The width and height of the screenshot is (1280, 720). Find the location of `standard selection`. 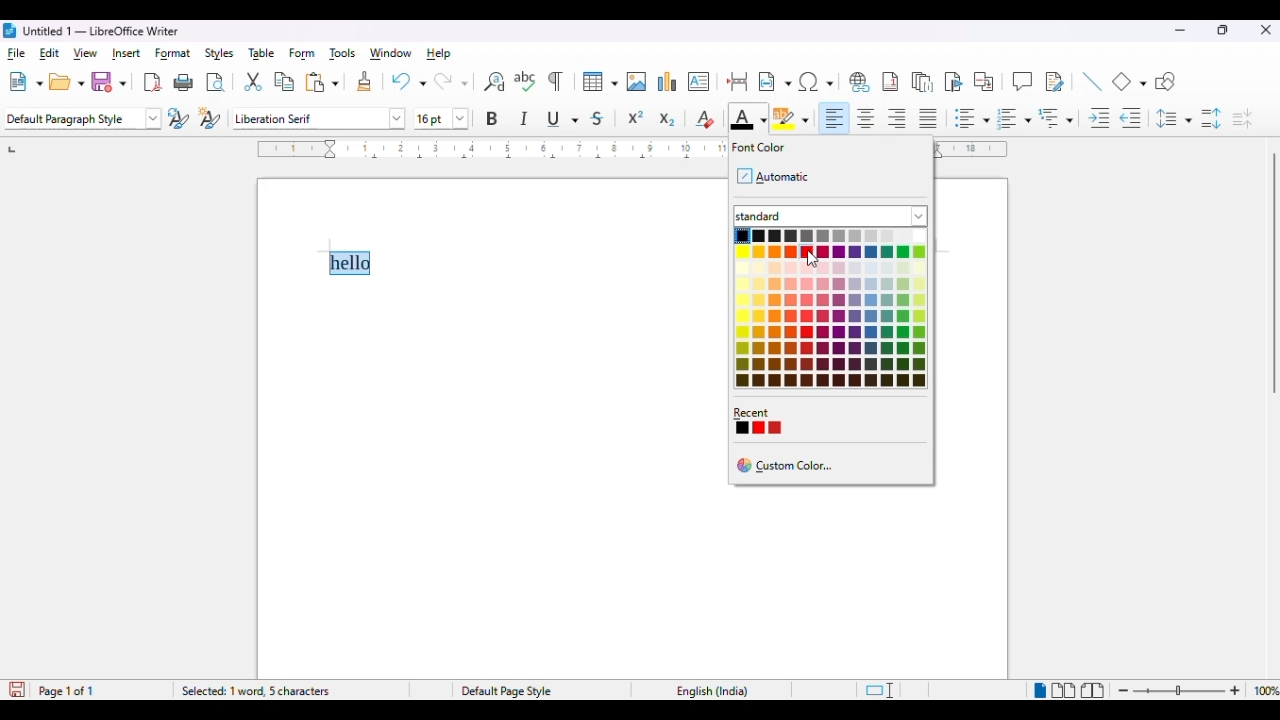

standard selection is located at coordinates (878, 691).